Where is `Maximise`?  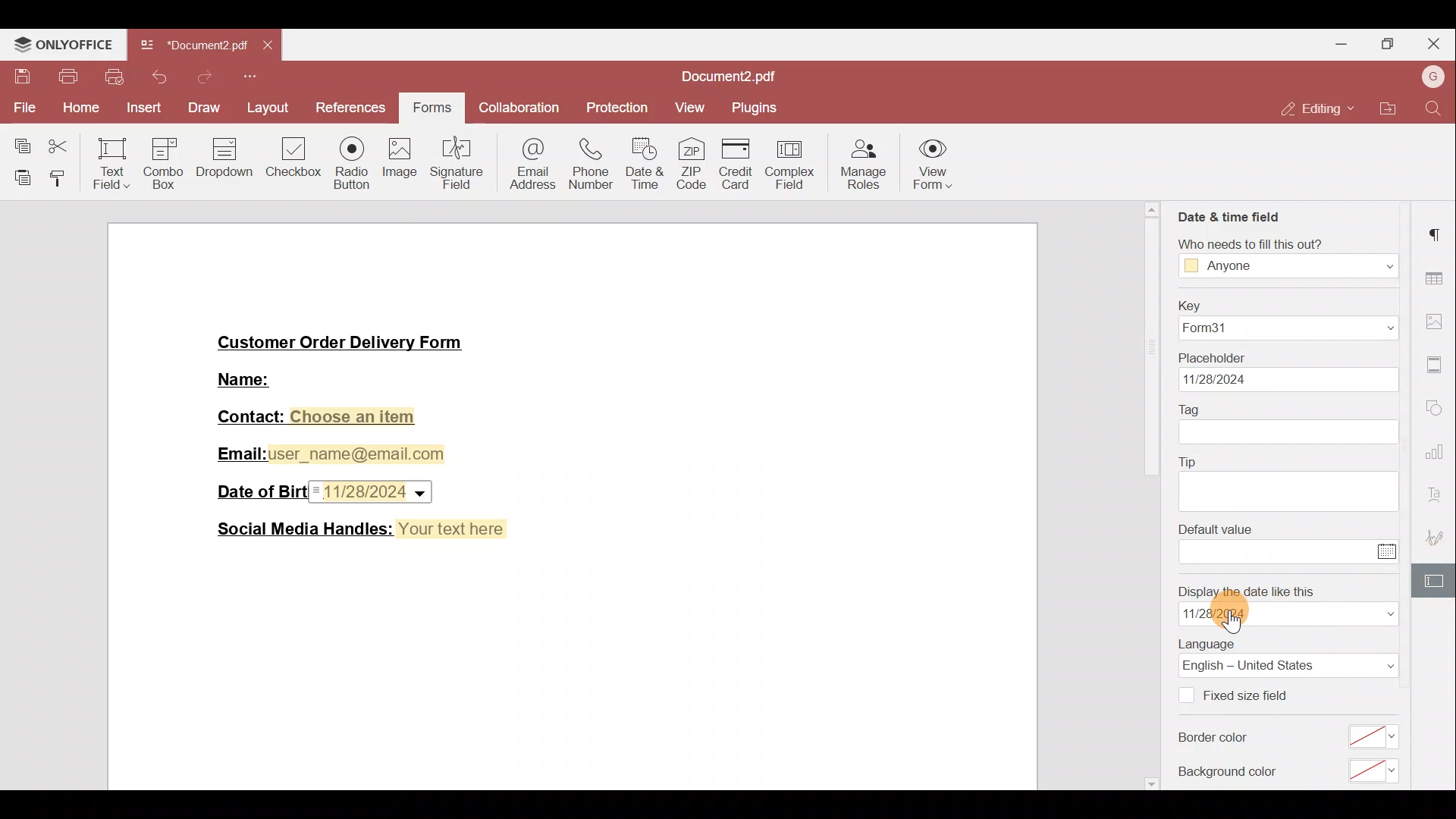 Maximise is located at coordinates (1389, 42).